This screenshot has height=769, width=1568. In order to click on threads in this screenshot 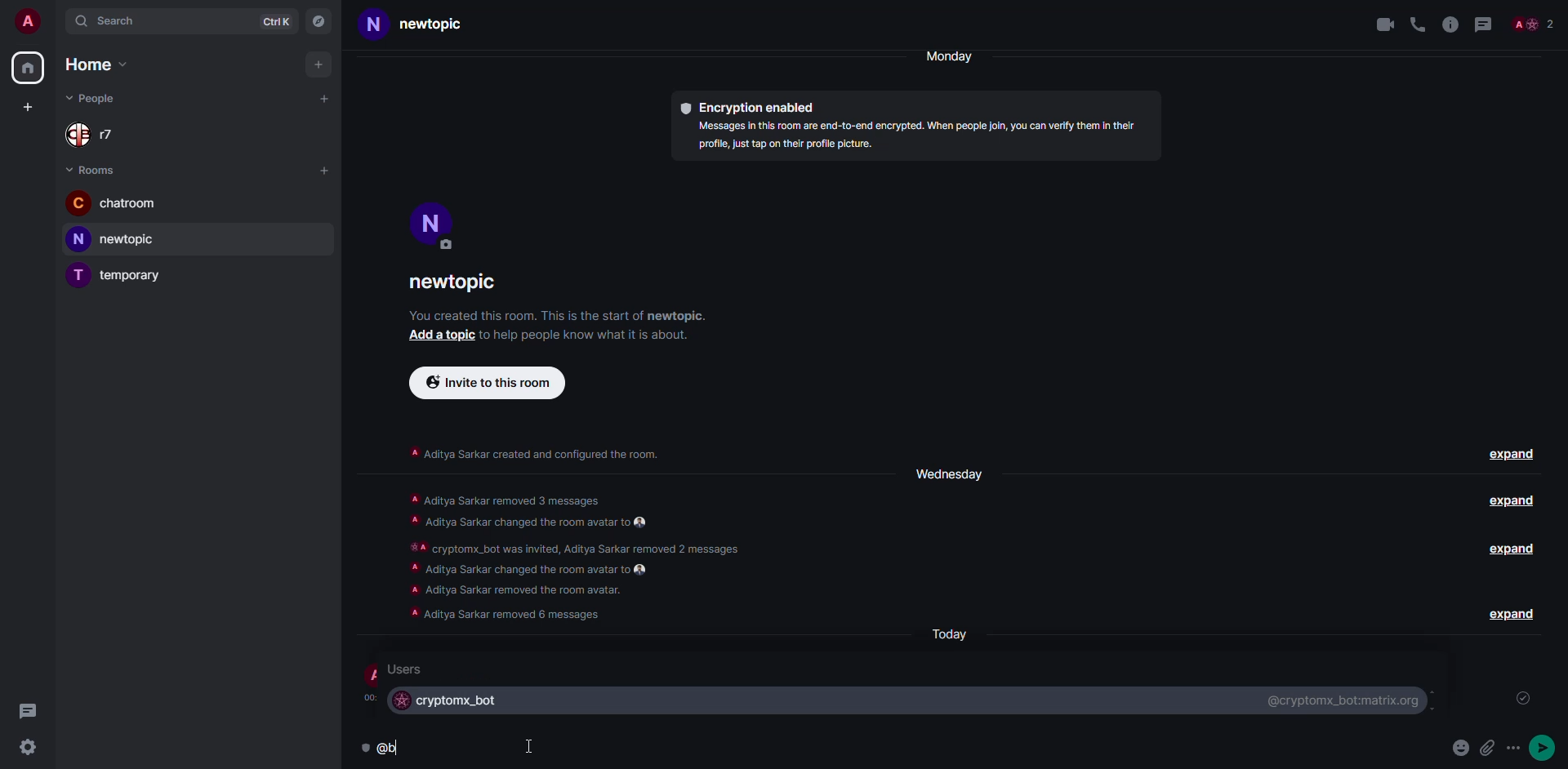, I will do `click(27, 709)`.